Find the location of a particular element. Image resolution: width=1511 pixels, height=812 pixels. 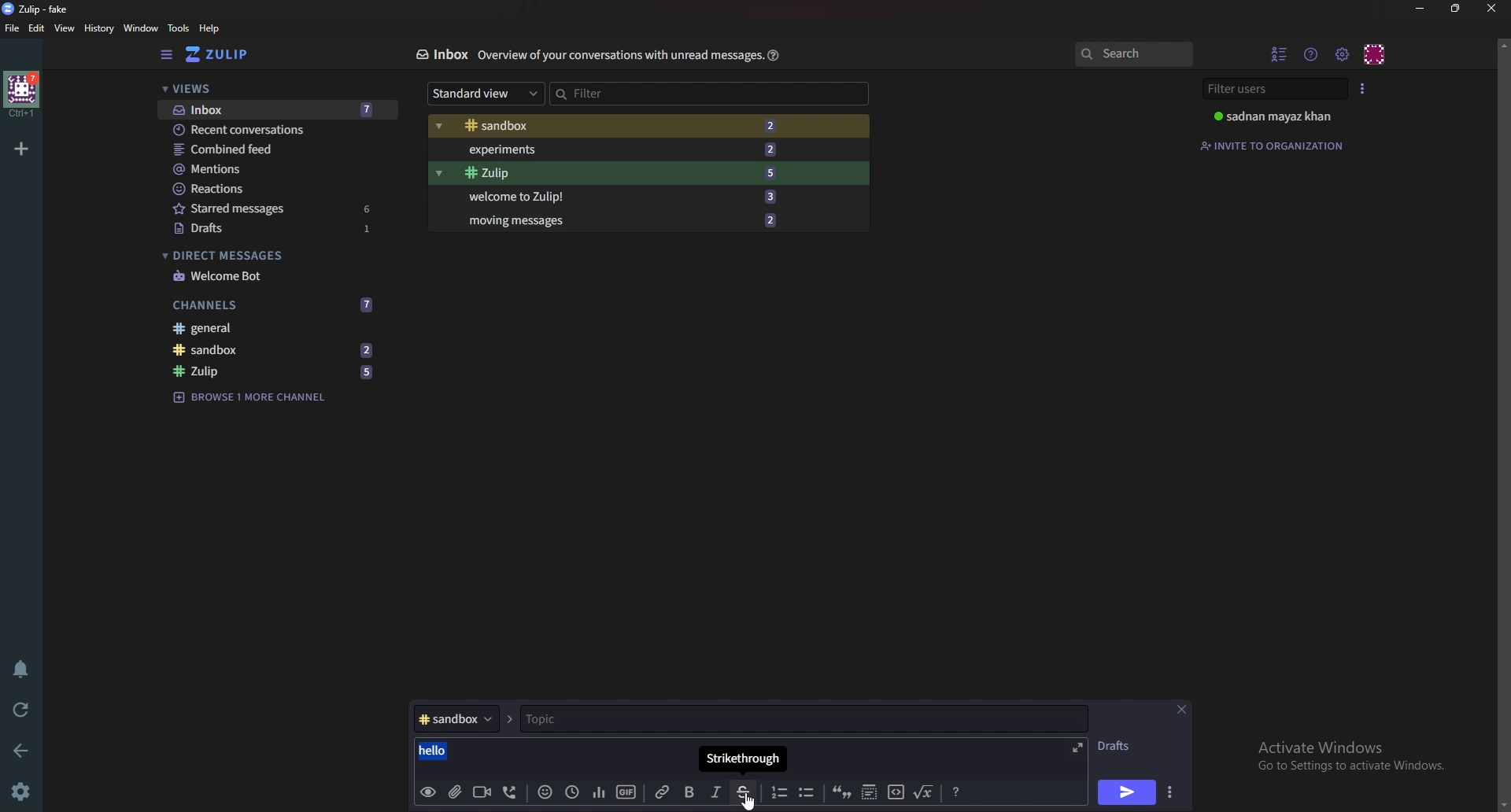

File is located at coordinates (13, 28).